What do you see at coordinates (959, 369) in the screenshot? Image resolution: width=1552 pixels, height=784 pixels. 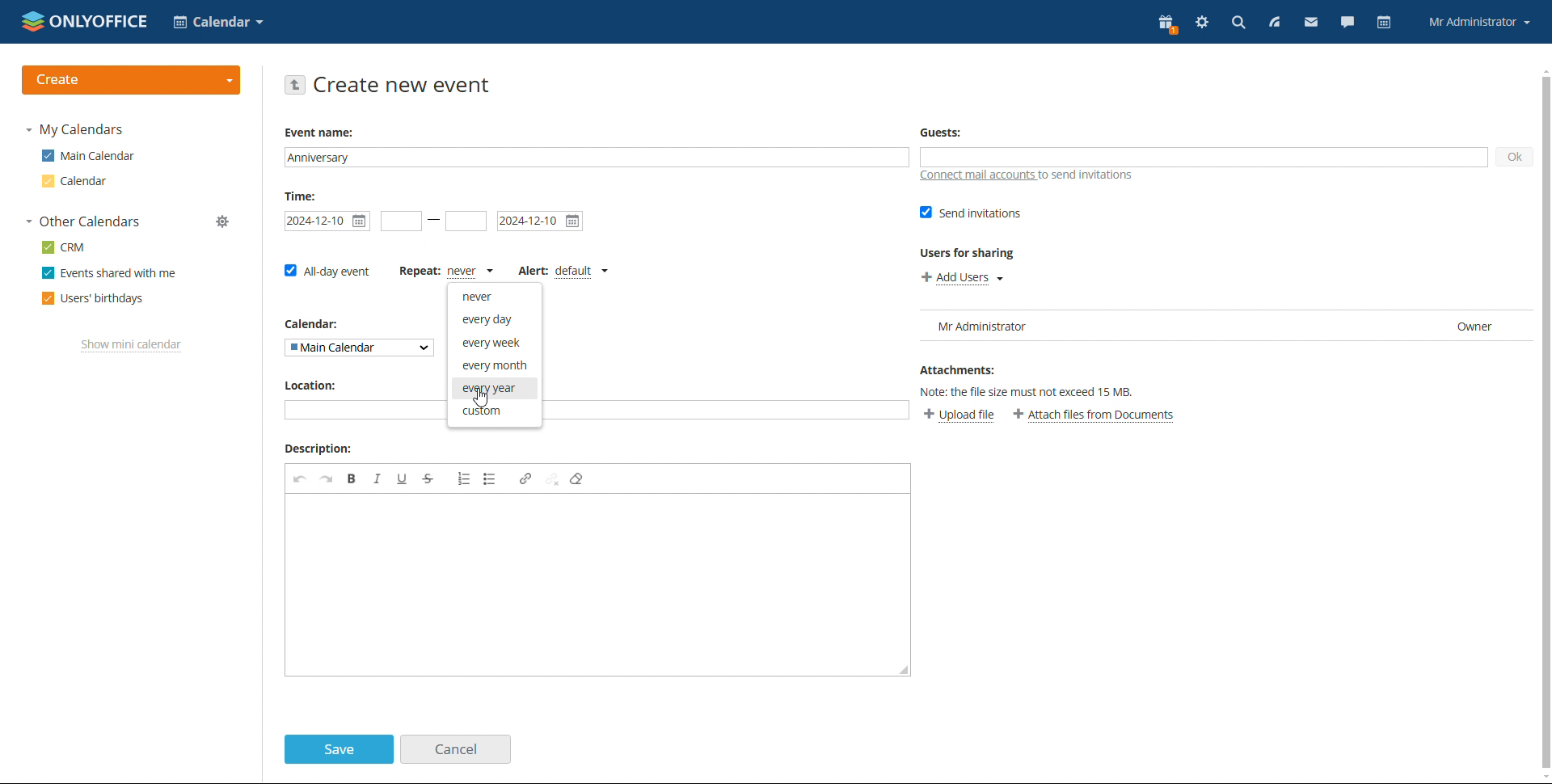 I see `Attachments:` at bounding box center [959, 369].